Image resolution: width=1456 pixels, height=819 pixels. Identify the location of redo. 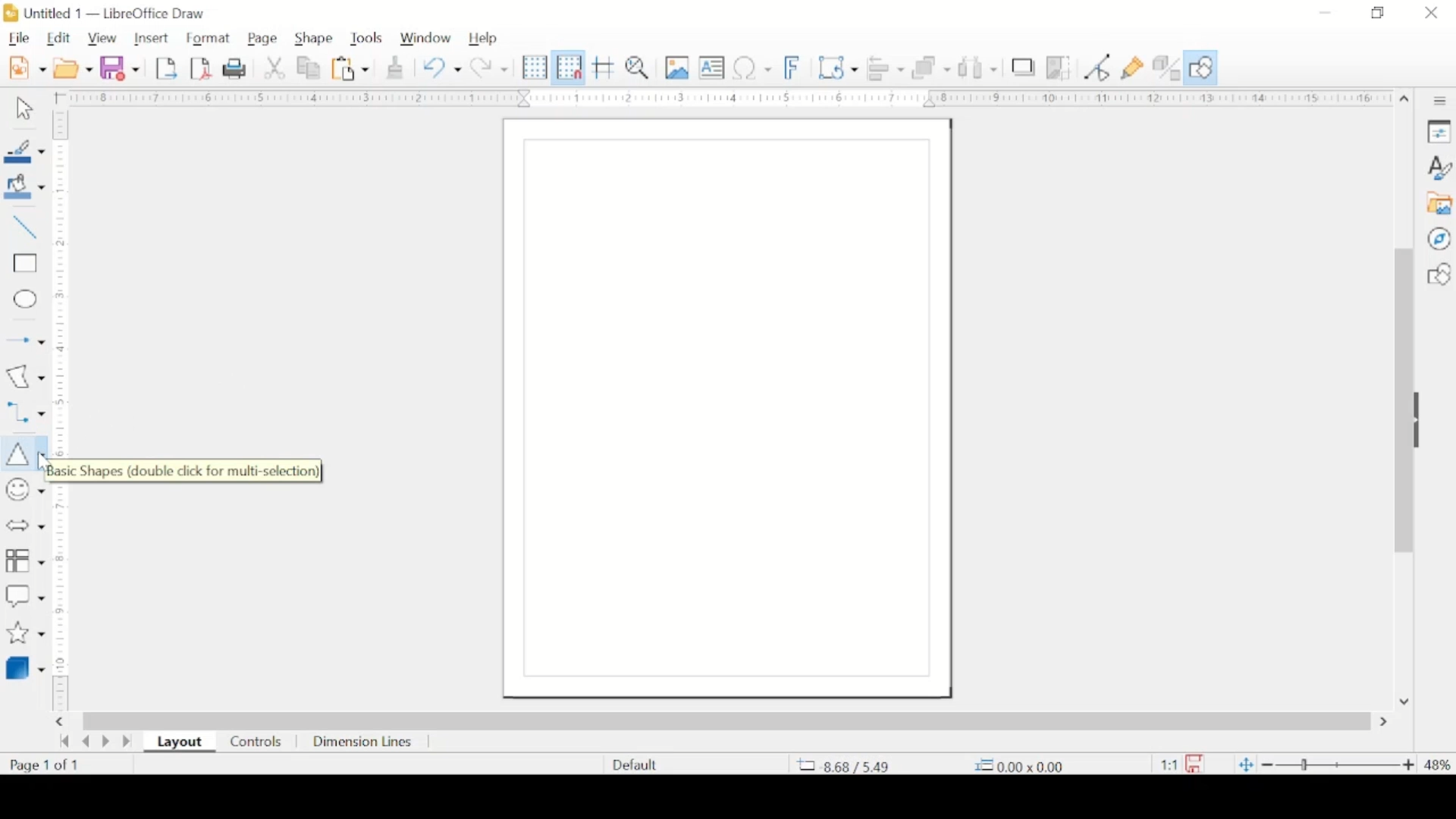
(491, 67).